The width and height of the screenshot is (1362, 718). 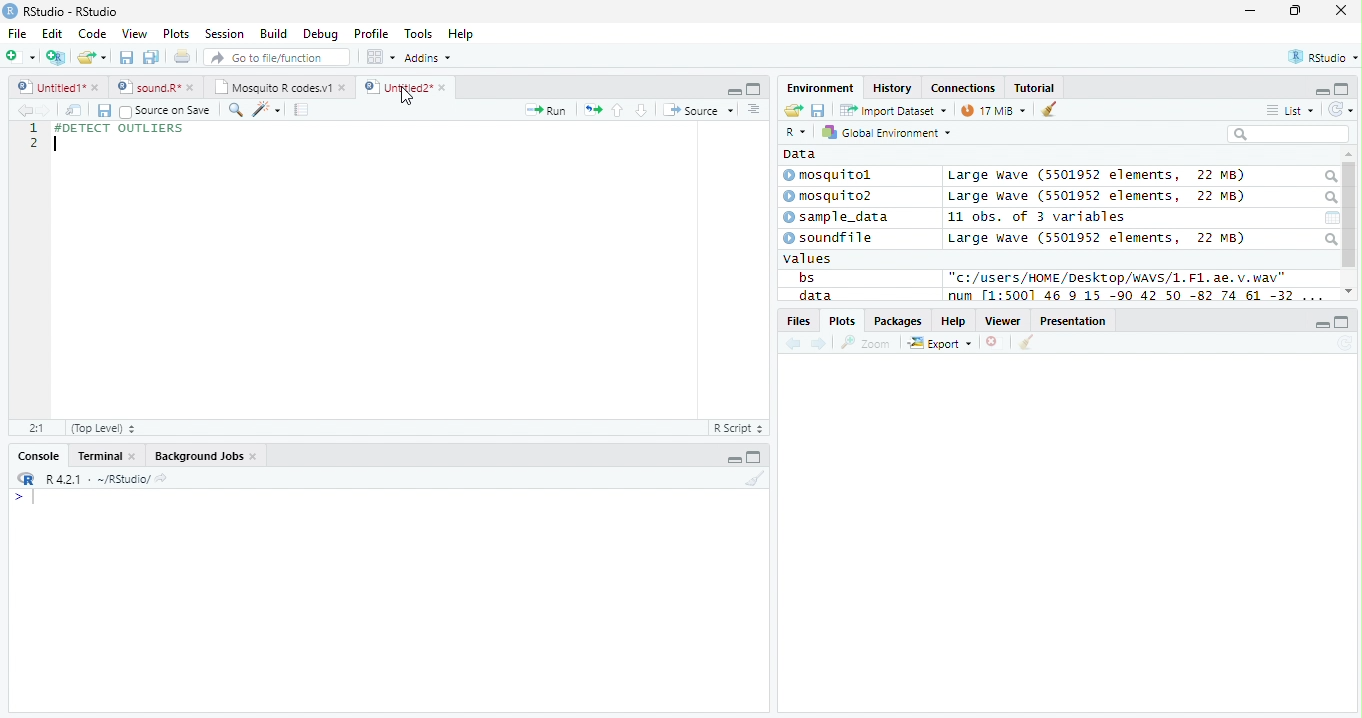 What do you see at coordinates (71, 11) in the screenshot?
I see `RStudio - RStudio` at bounding box center [71, 11].